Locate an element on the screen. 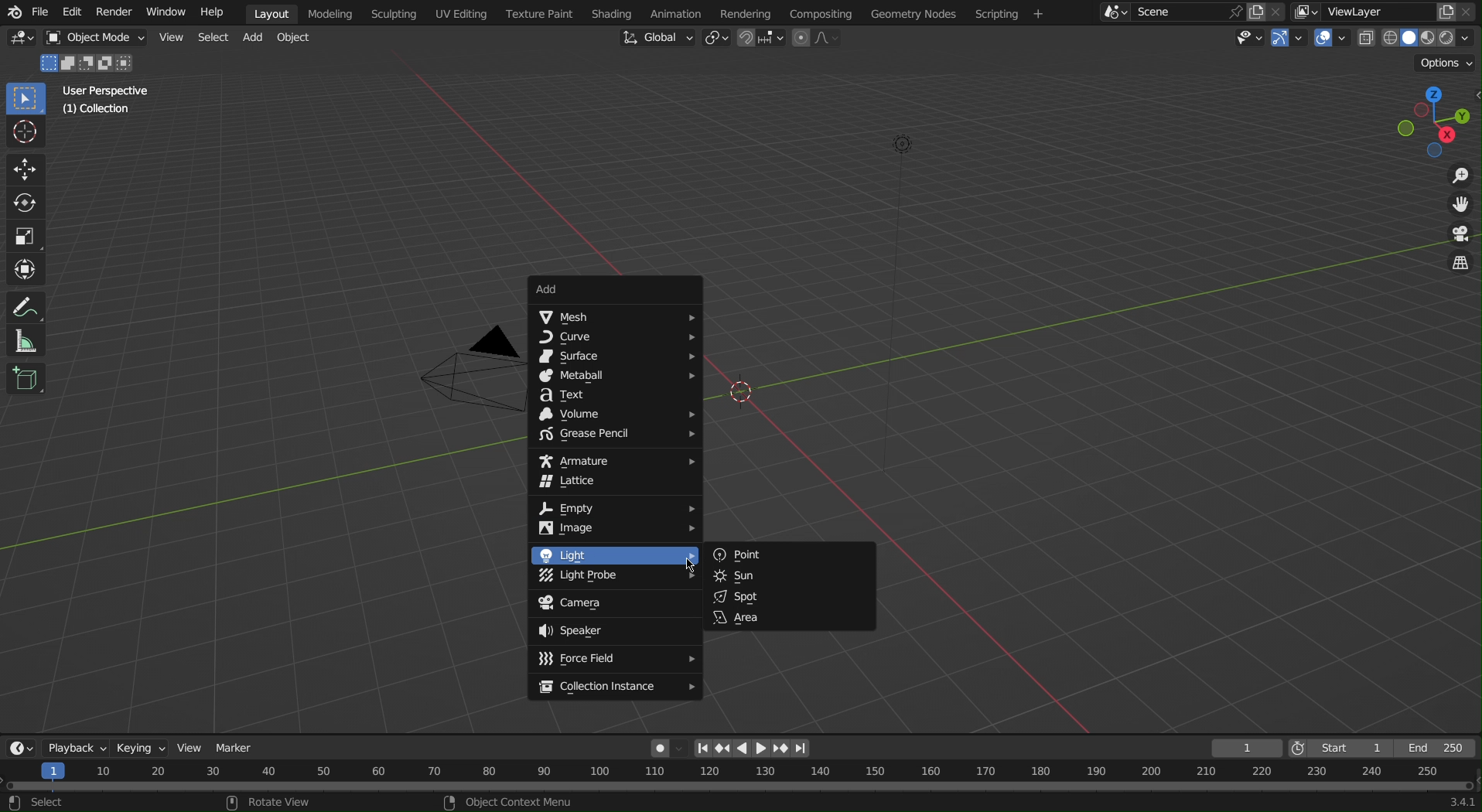 This screenshot has height=812, width=1482. Options is located at coordinates (1448, 63).